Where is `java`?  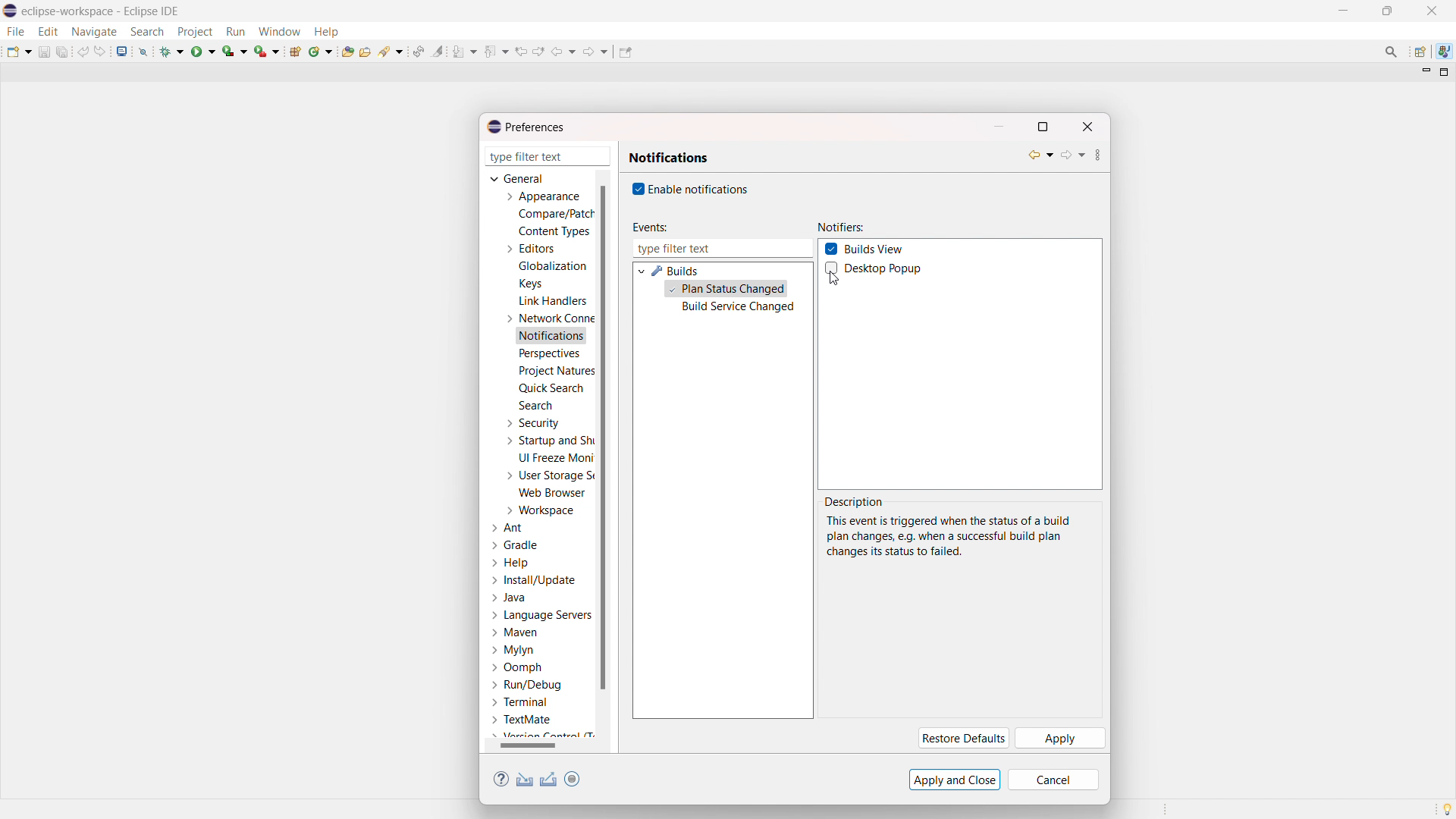 java is located at coordinates (510, 598).